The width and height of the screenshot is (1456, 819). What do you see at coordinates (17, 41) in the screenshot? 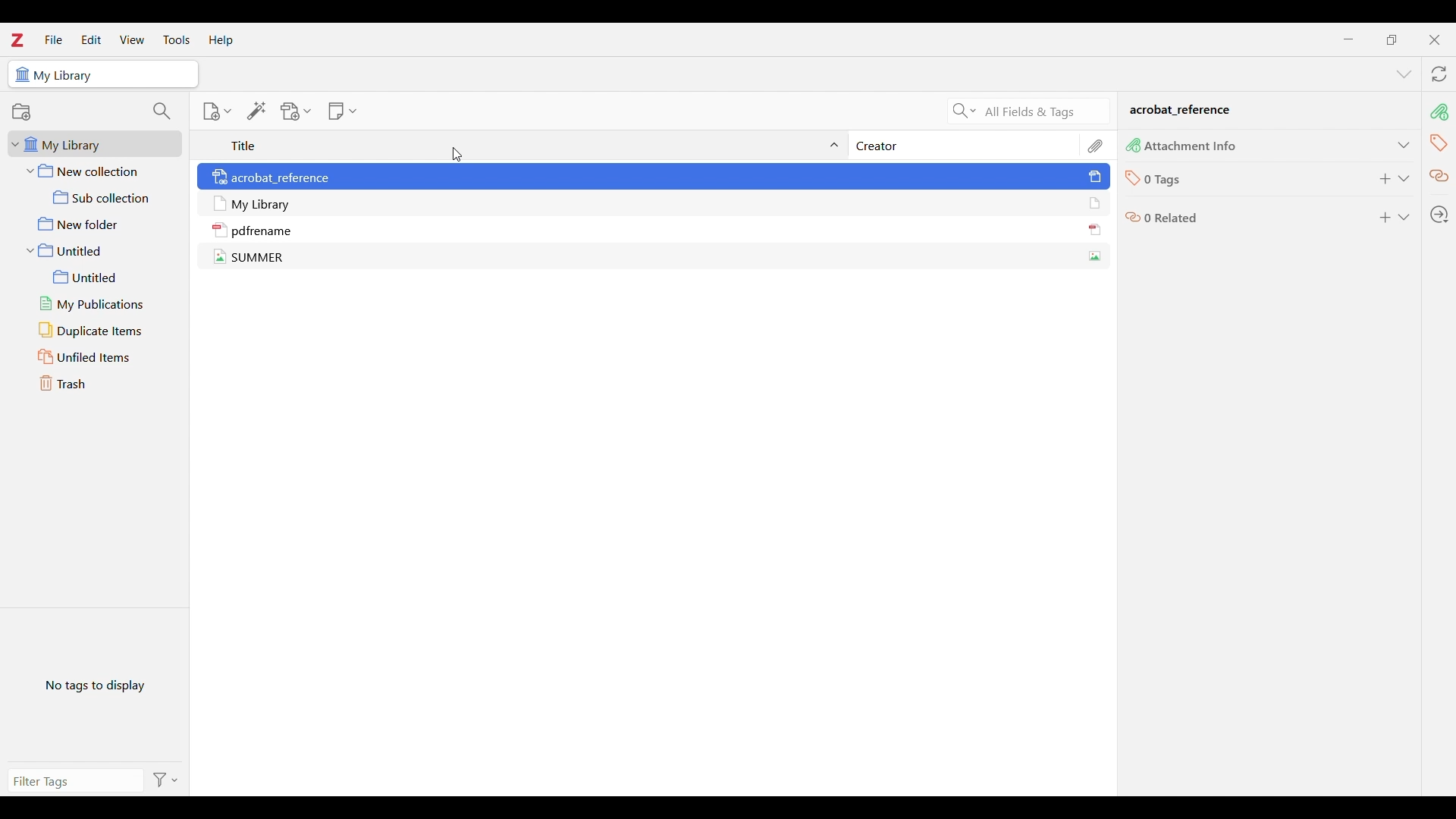
I see `Software logo` at bounding box center [17, 41].